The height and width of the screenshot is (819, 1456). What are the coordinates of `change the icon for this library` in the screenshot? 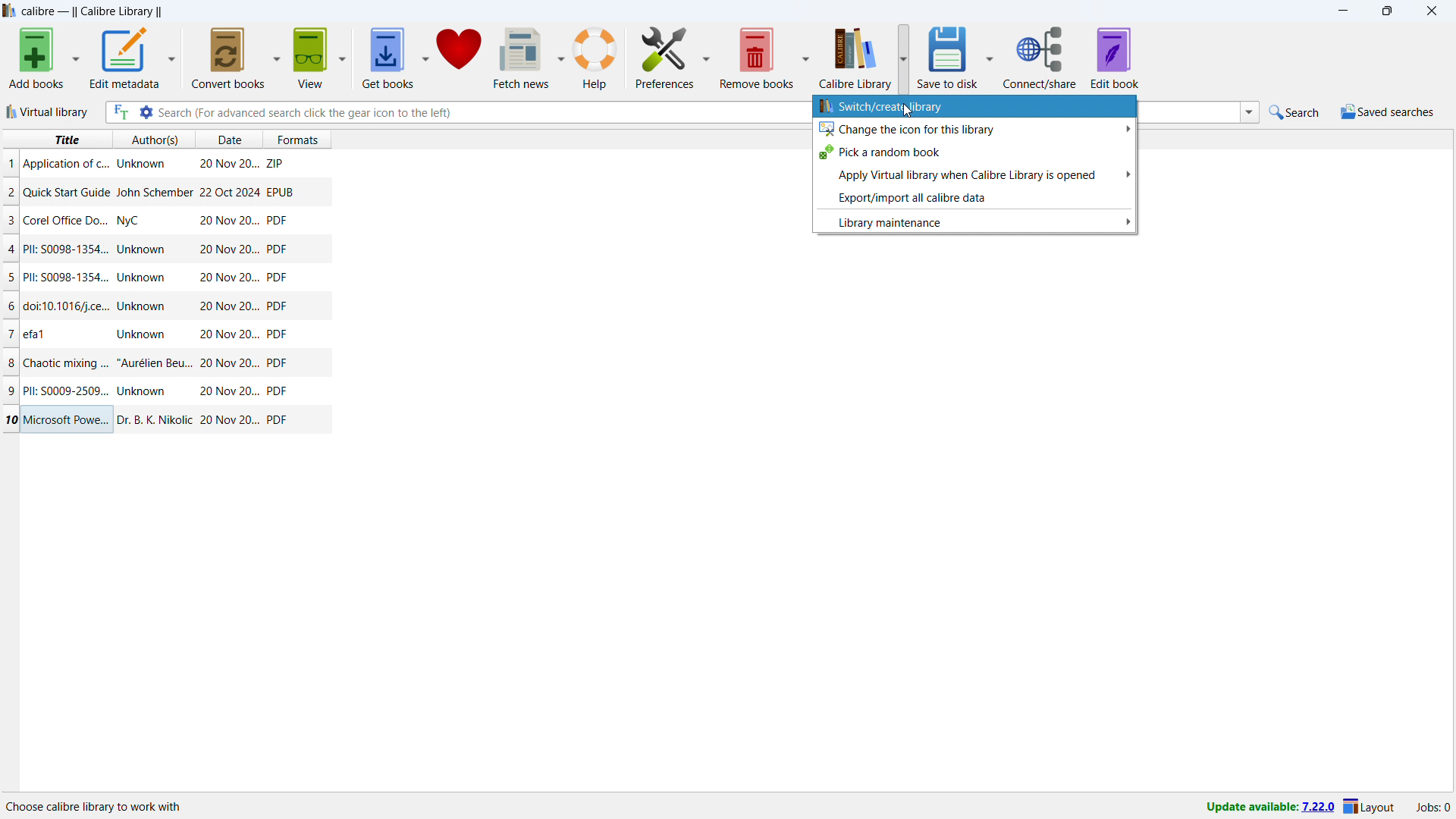 It's located at (974, 130).